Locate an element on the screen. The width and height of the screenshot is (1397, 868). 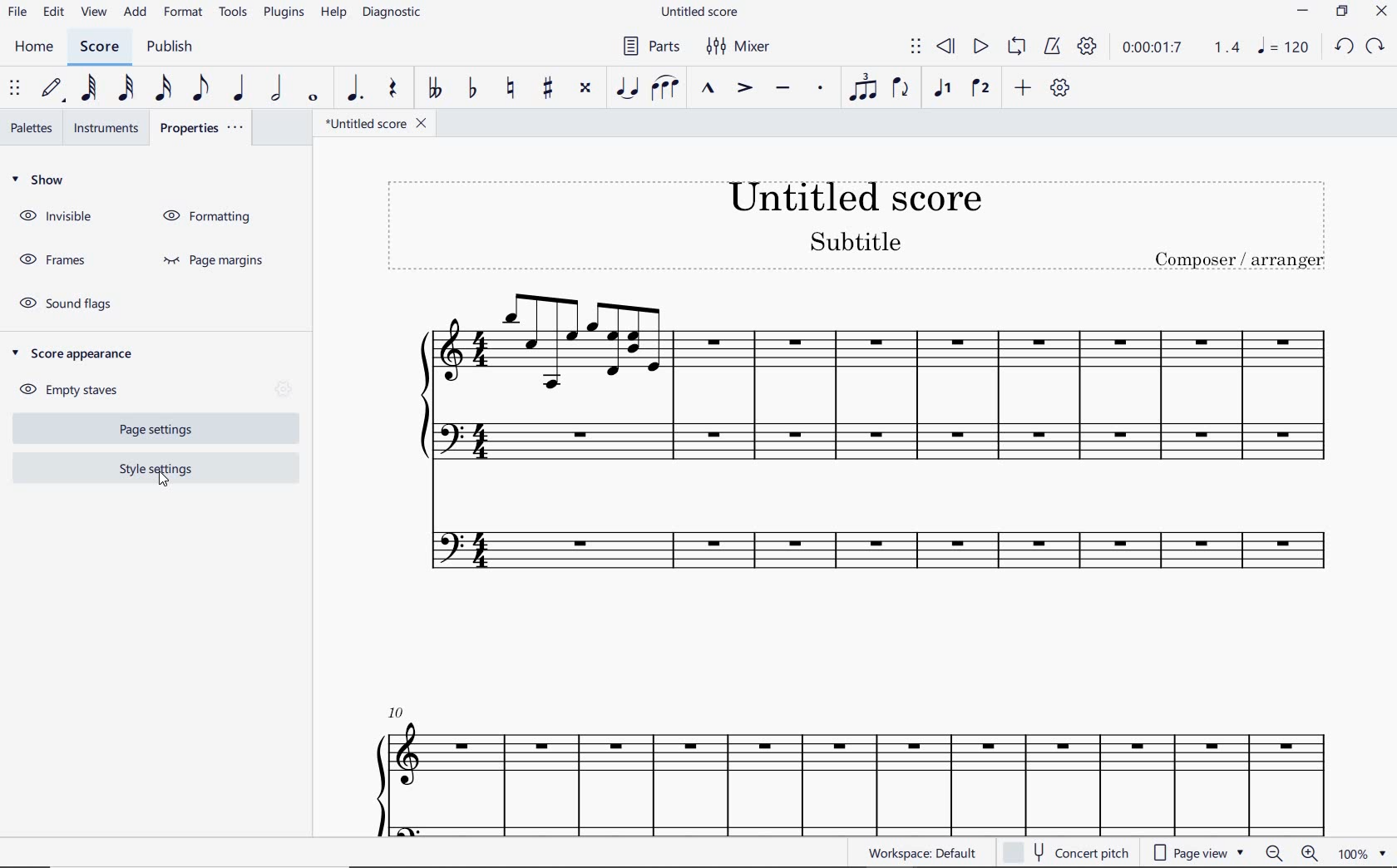
SELECT TO MOVE is located at coordinates (916, 47).